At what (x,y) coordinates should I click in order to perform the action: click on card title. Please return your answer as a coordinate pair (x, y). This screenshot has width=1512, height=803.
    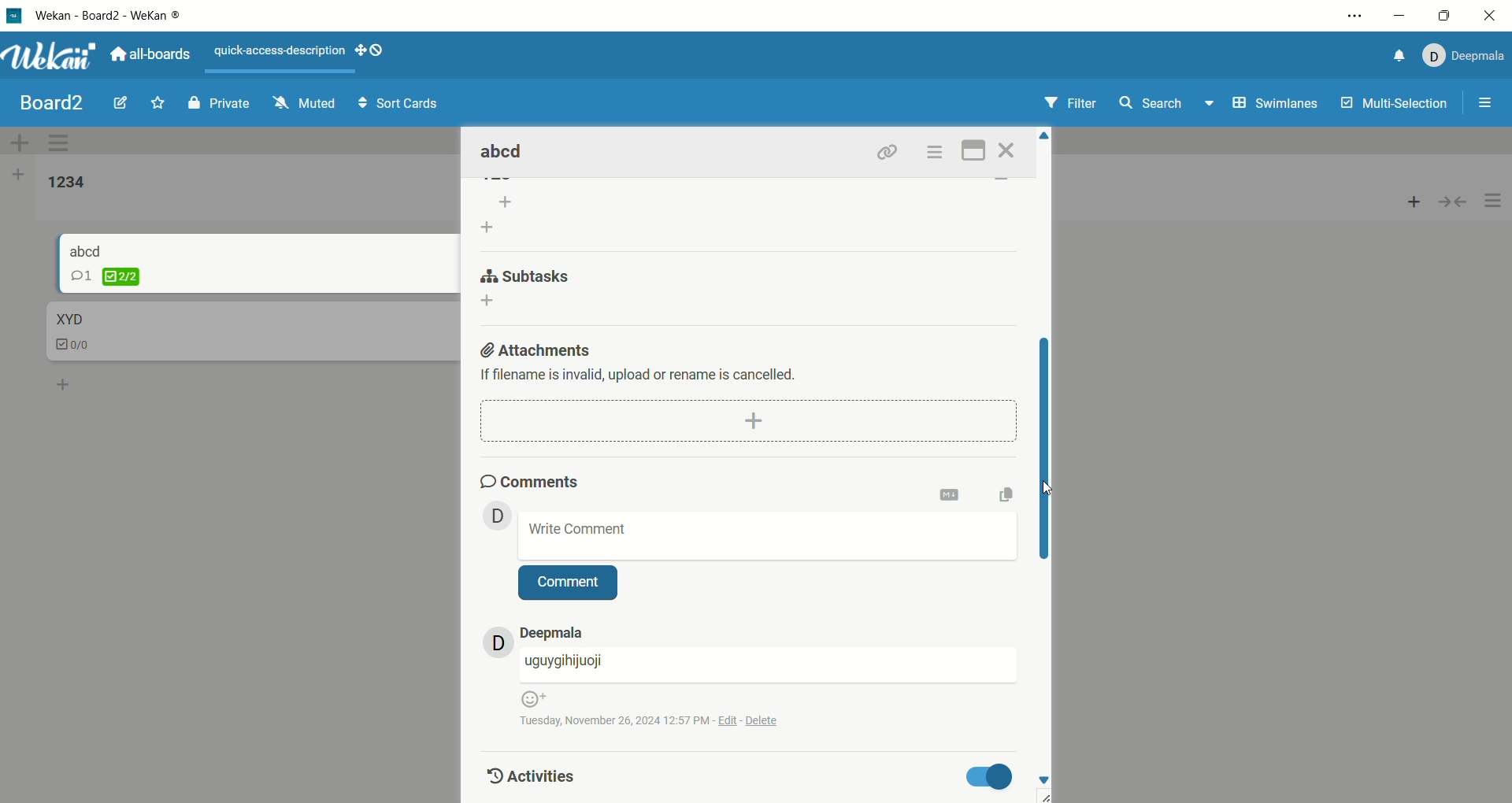
    Looking at the image, I should click on (68, 320).